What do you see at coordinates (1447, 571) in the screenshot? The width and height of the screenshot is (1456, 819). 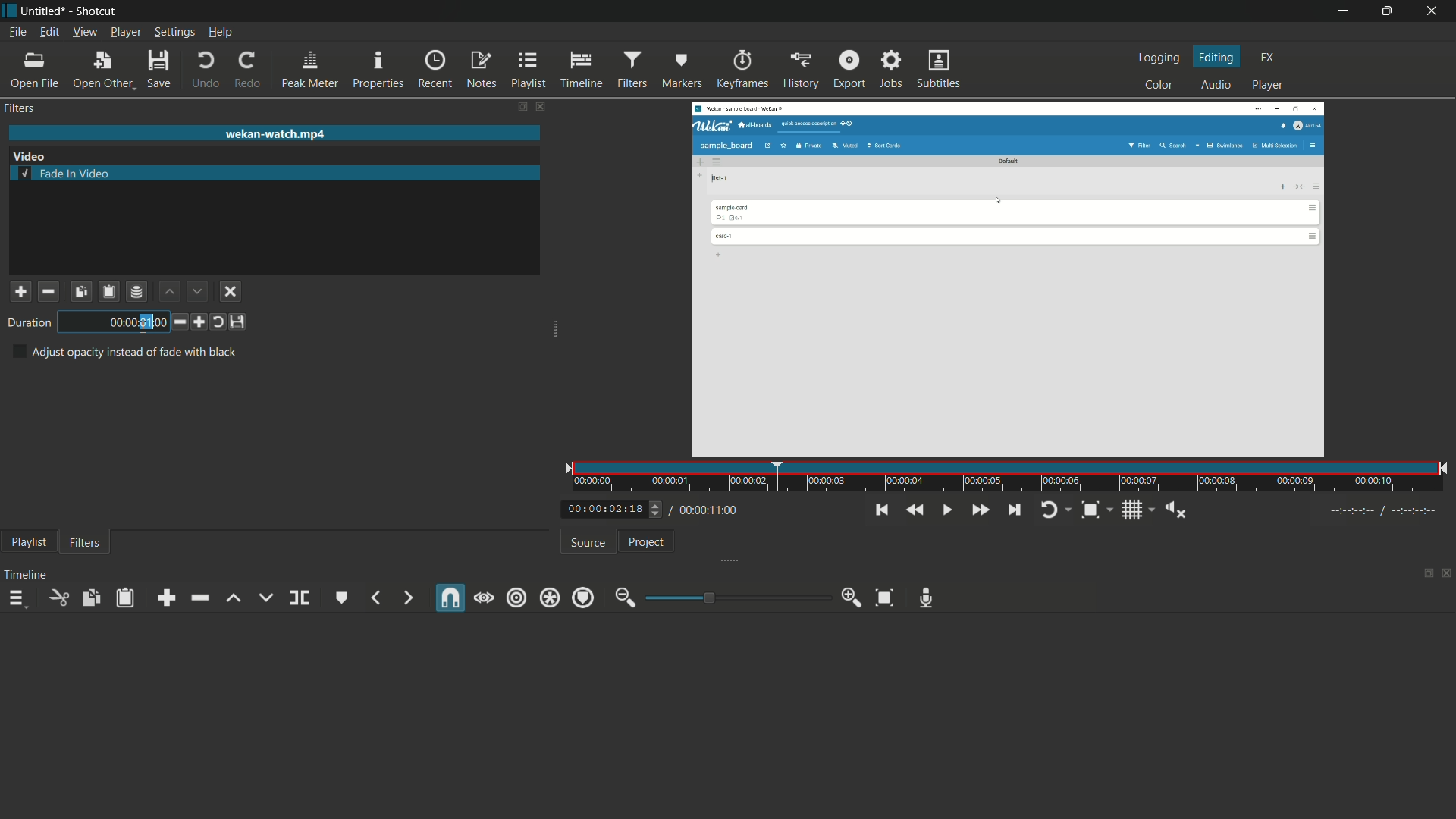 I see `close timeline` at bounding box center [1447, 571].